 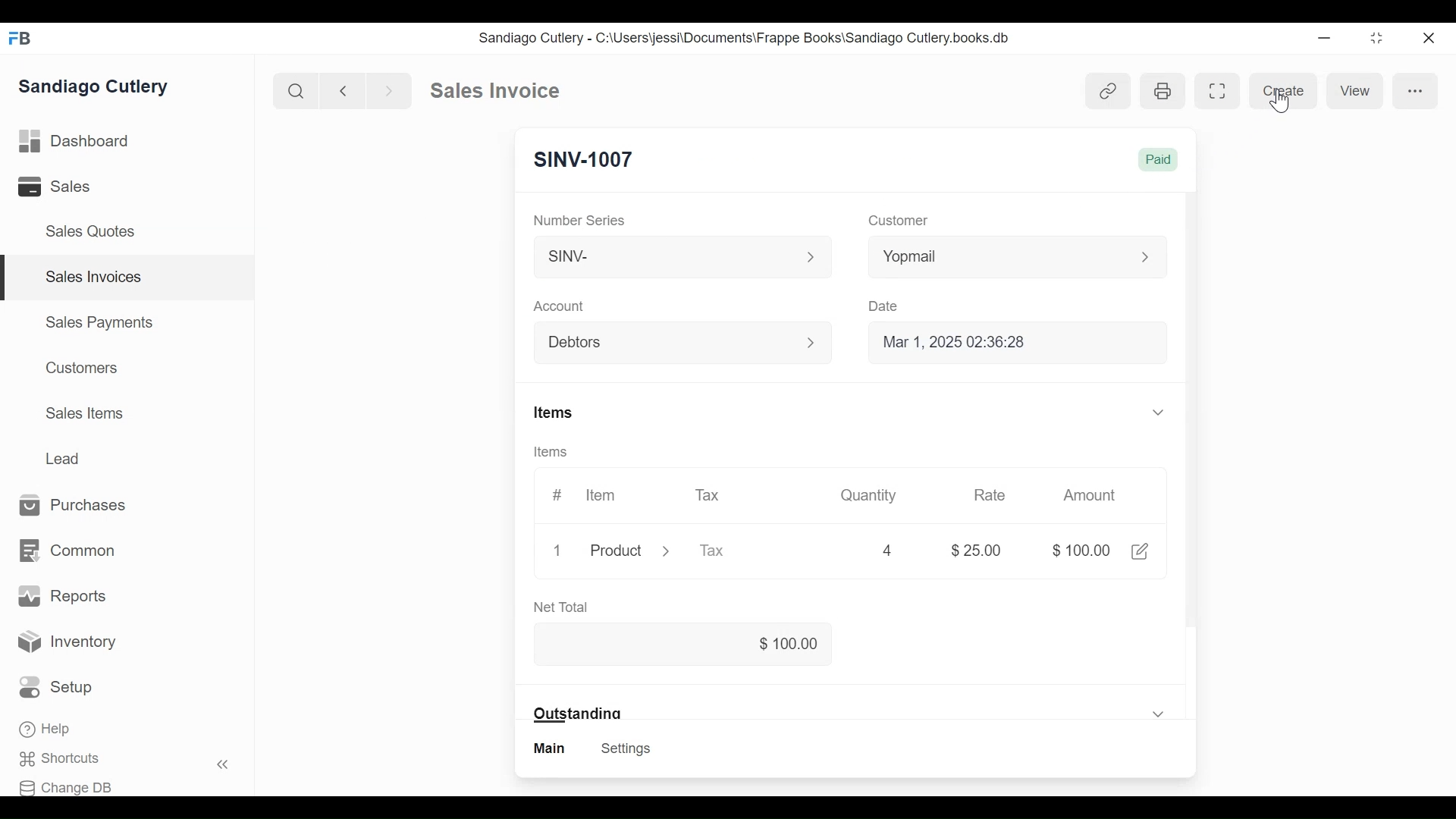 What do you see at coordinates (224, 764) in the screenshot?
I see `Hide sidebar` at bounding box center [224, 764].